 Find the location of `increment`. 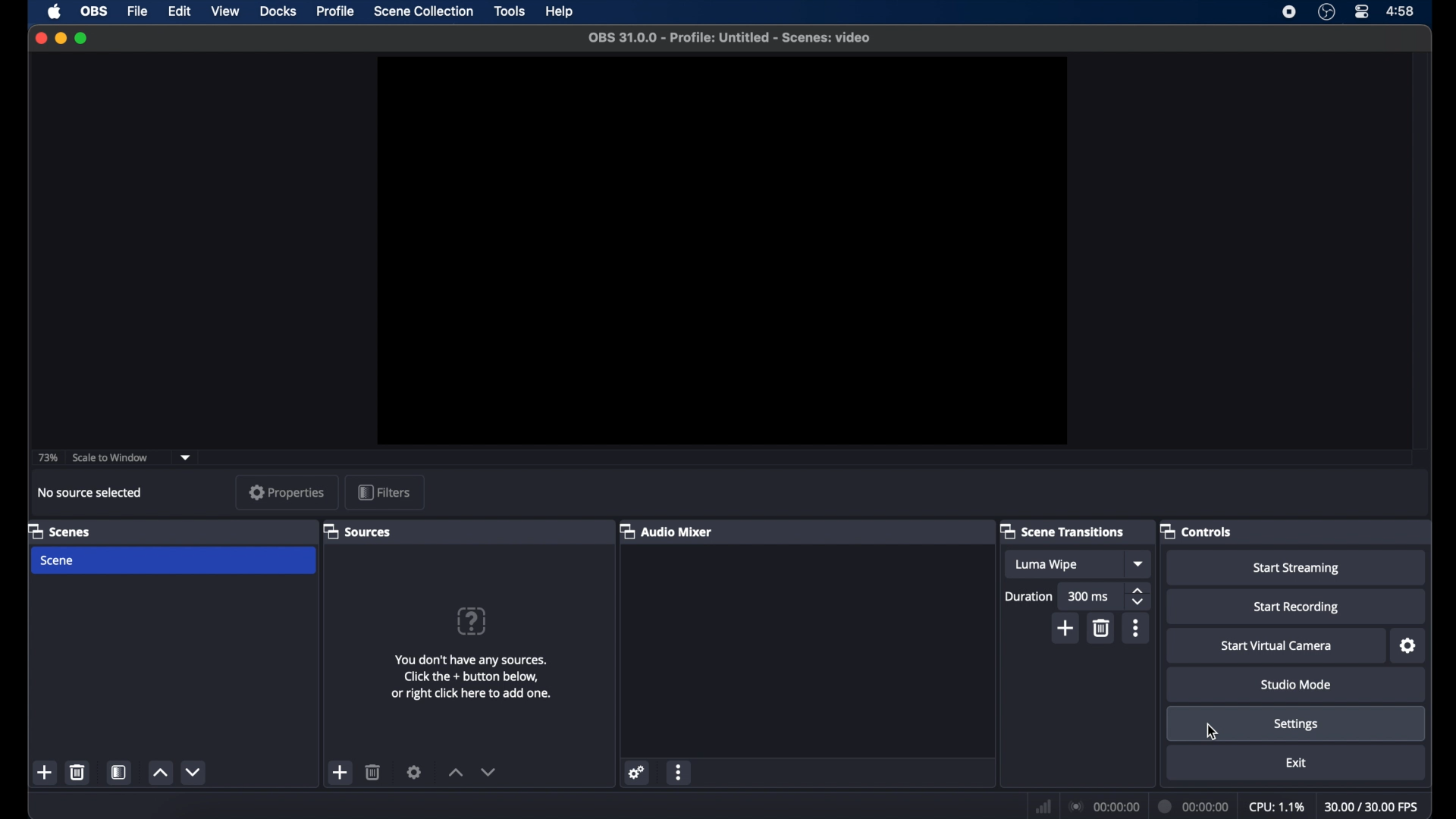

increment is located at coordinates (161, 773).